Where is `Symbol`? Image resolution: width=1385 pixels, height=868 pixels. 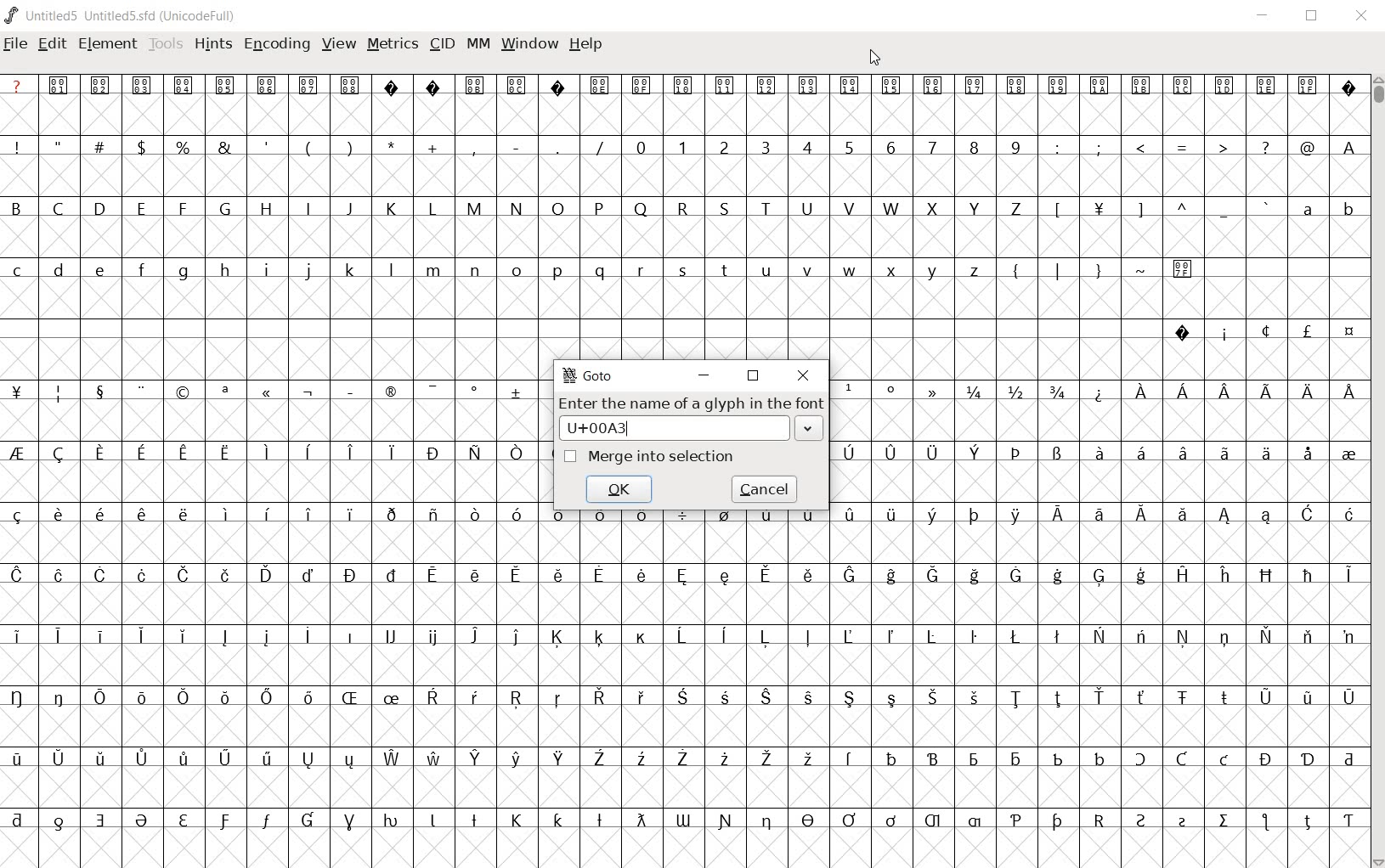 Symbol is located at coordinates (681, 699).